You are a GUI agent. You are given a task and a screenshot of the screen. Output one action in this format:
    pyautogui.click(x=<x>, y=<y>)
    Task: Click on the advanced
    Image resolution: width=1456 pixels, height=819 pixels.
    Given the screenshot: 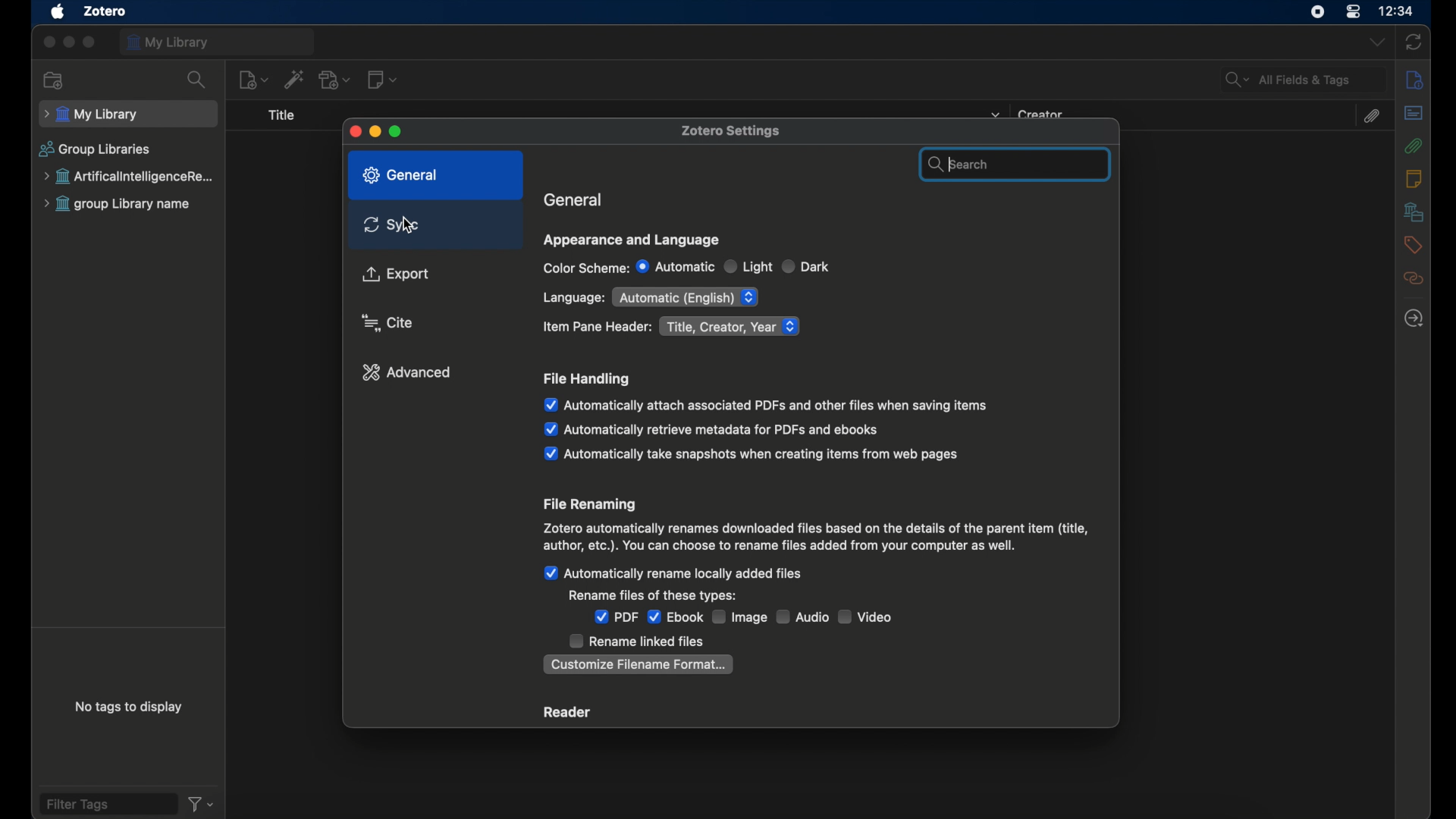 What is the action you would take?
    pyautogui.click(x=407, y=372)
    